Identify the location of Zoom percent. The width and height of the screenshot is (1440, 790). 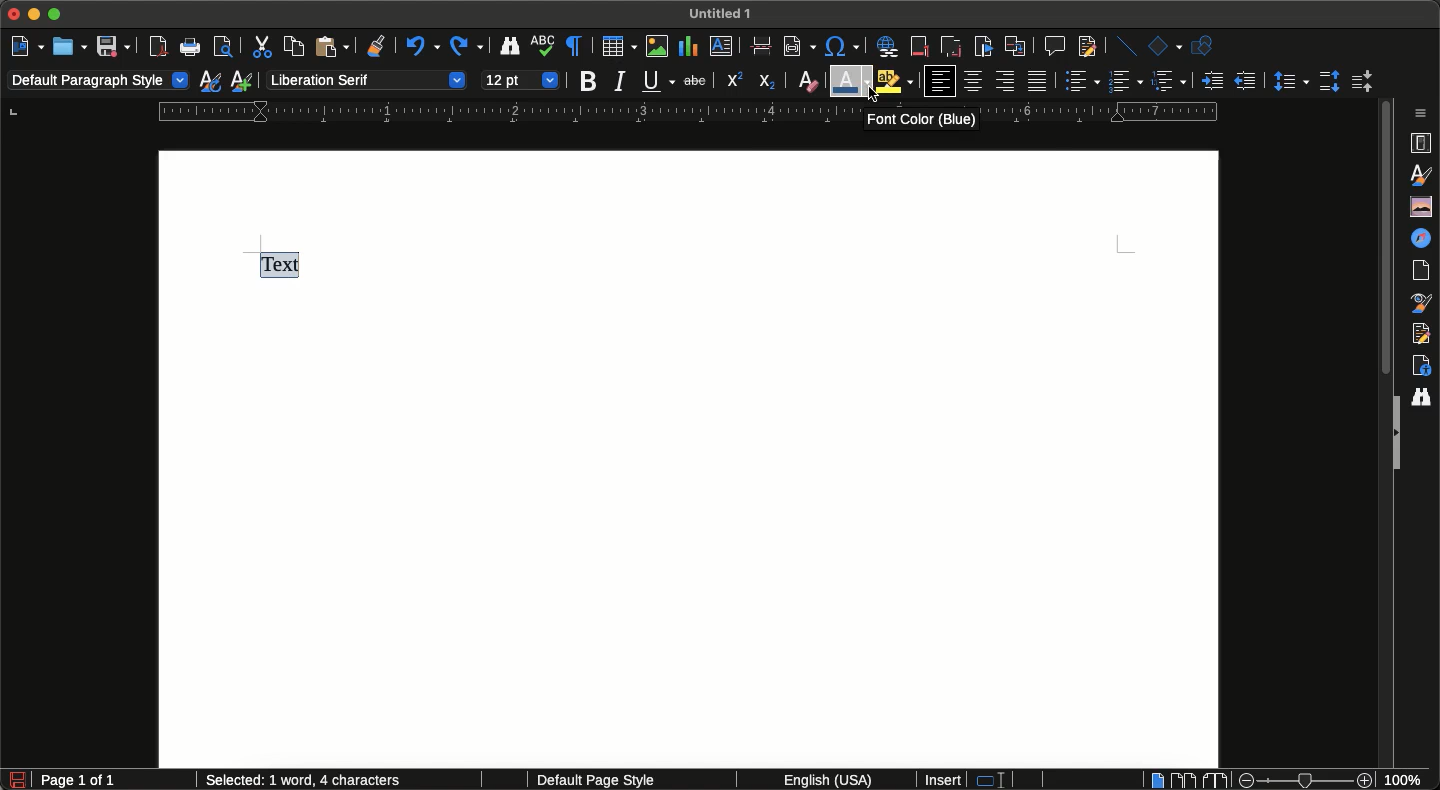
(1410, 780).